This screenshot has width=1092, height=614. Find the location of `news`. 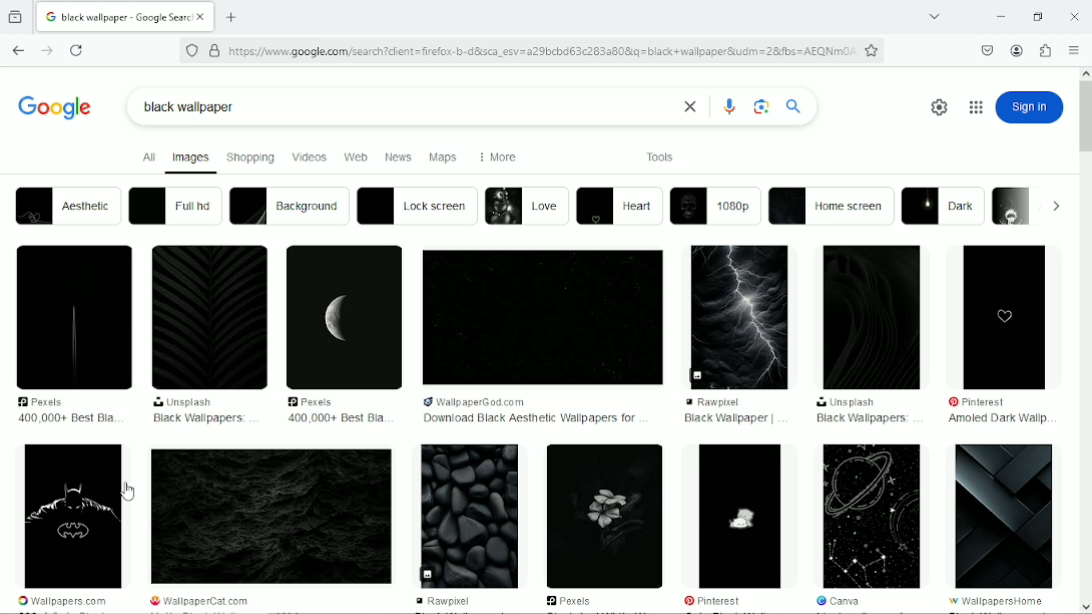

news is located at coordinates (399, 157).